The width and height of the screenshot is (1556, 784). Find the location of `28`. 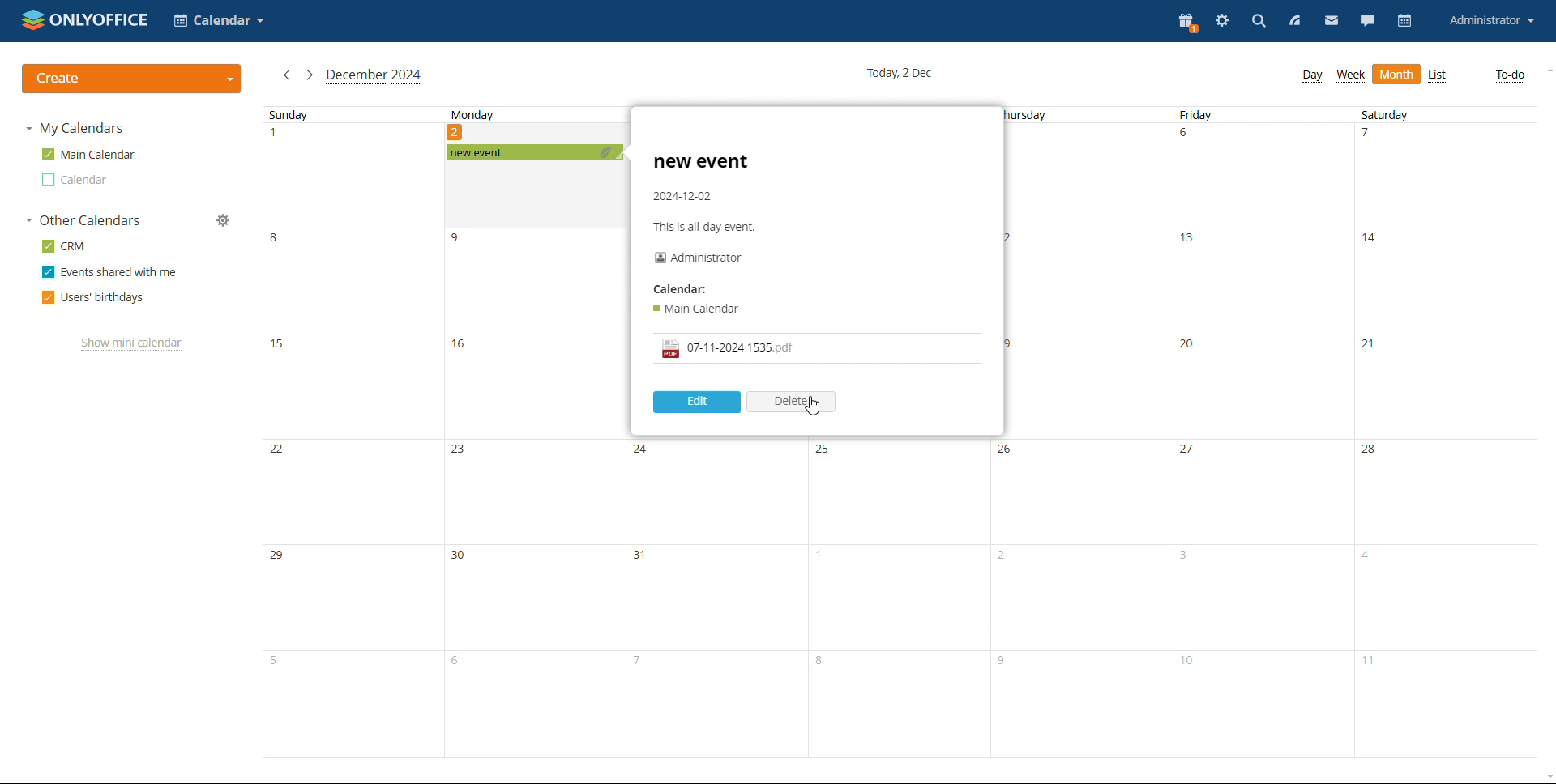

28 is located at coordinates (1373, 451).